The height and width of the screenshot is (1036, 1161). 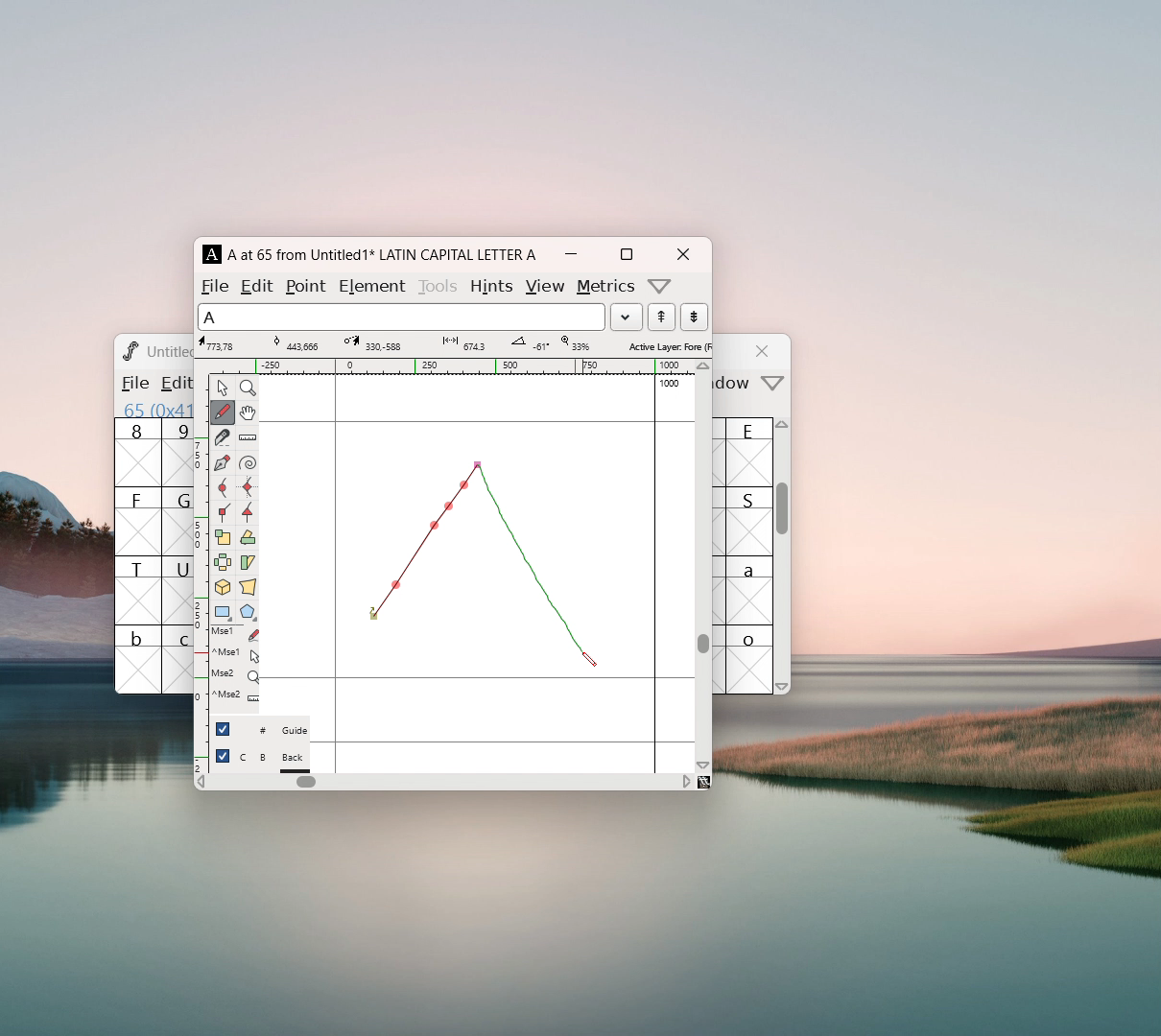 What do you see at coordinates (704, 366) in the screenshot?
I see `scroll up` at bounding box center [704, 366].